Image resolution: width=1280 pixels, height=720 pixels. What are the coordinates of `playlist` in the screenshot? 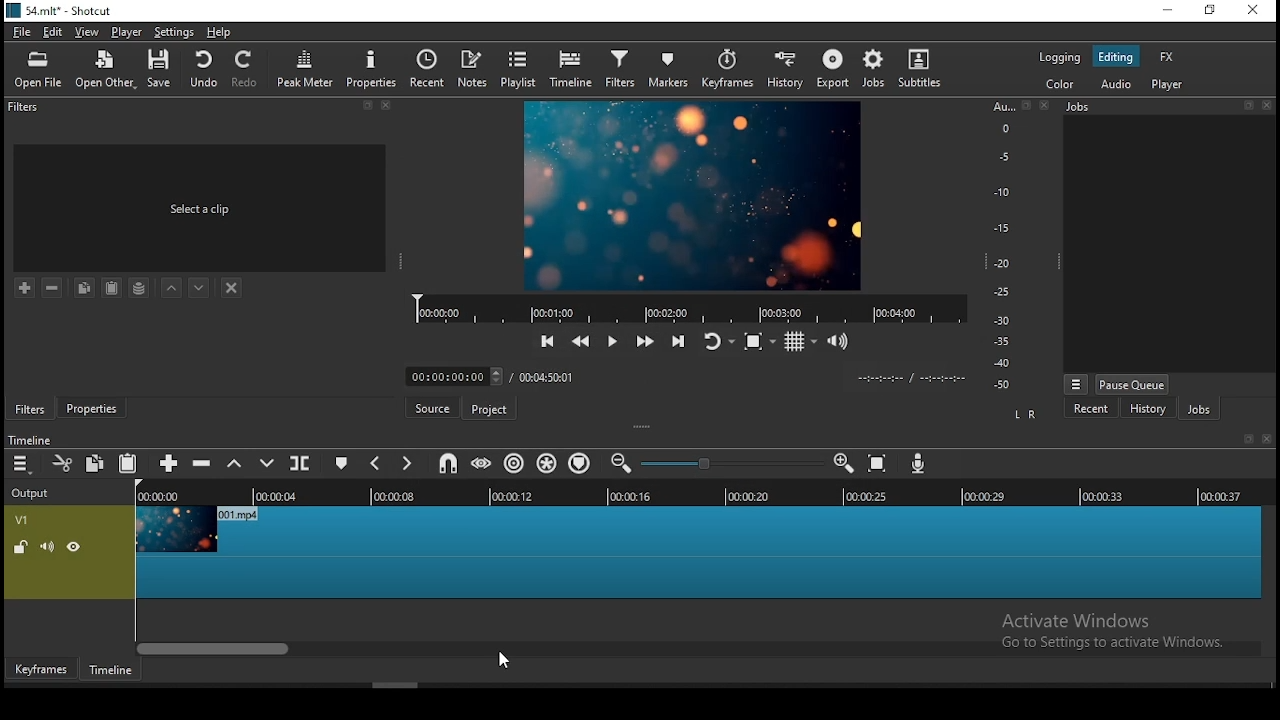 It's located at (520, 68).